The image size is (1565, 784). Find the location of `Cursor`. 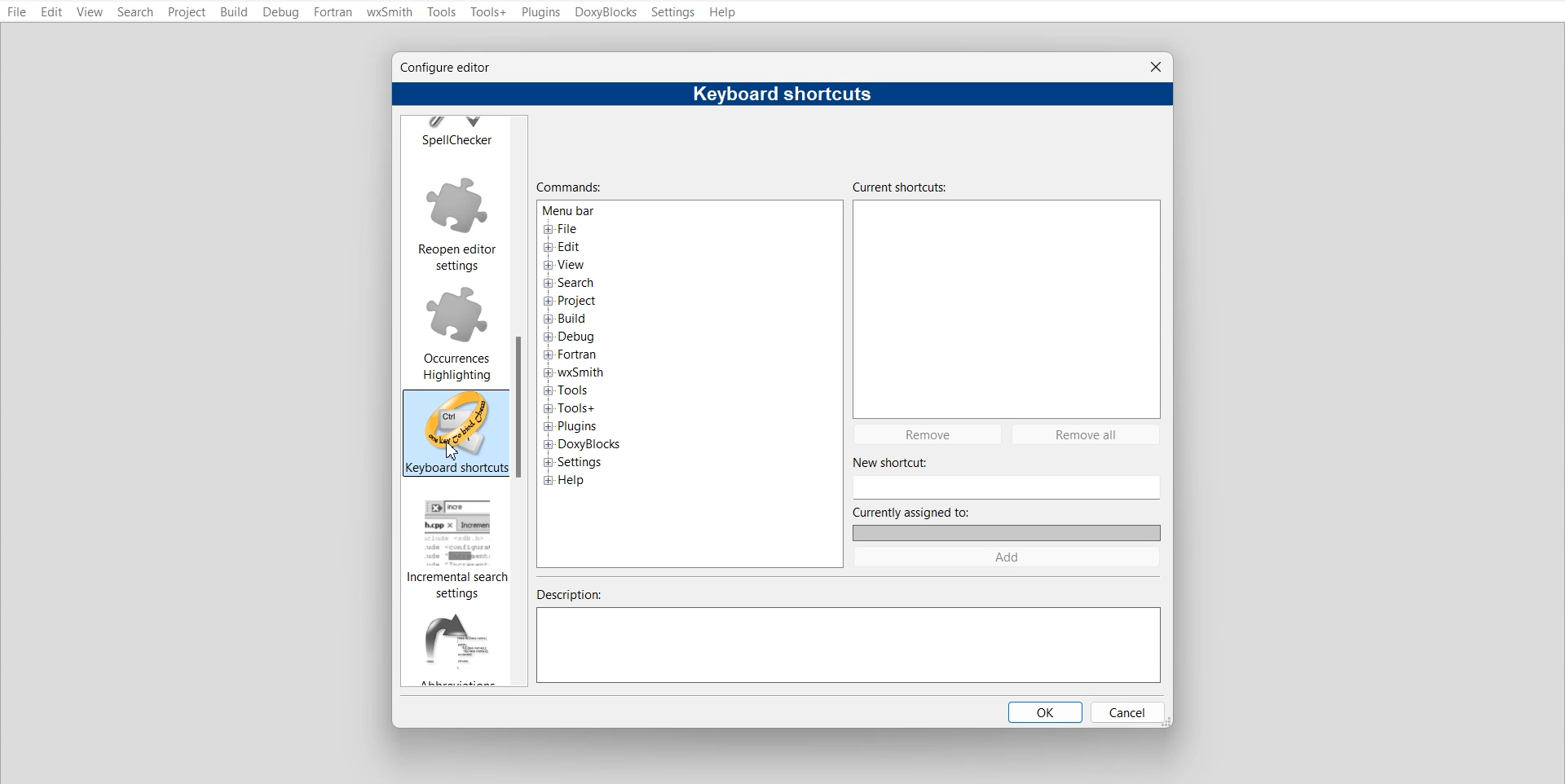

Cursor is located at coordinates (452, 451).